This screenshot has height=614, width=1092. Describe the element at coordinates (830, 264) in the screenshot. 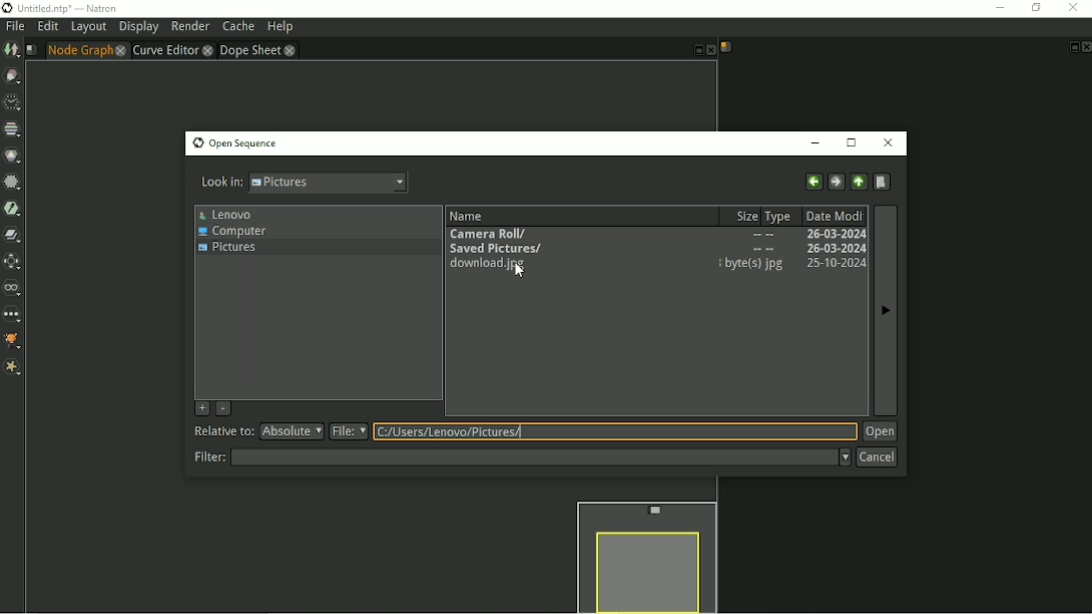

I see `25-10-2024` at that location.